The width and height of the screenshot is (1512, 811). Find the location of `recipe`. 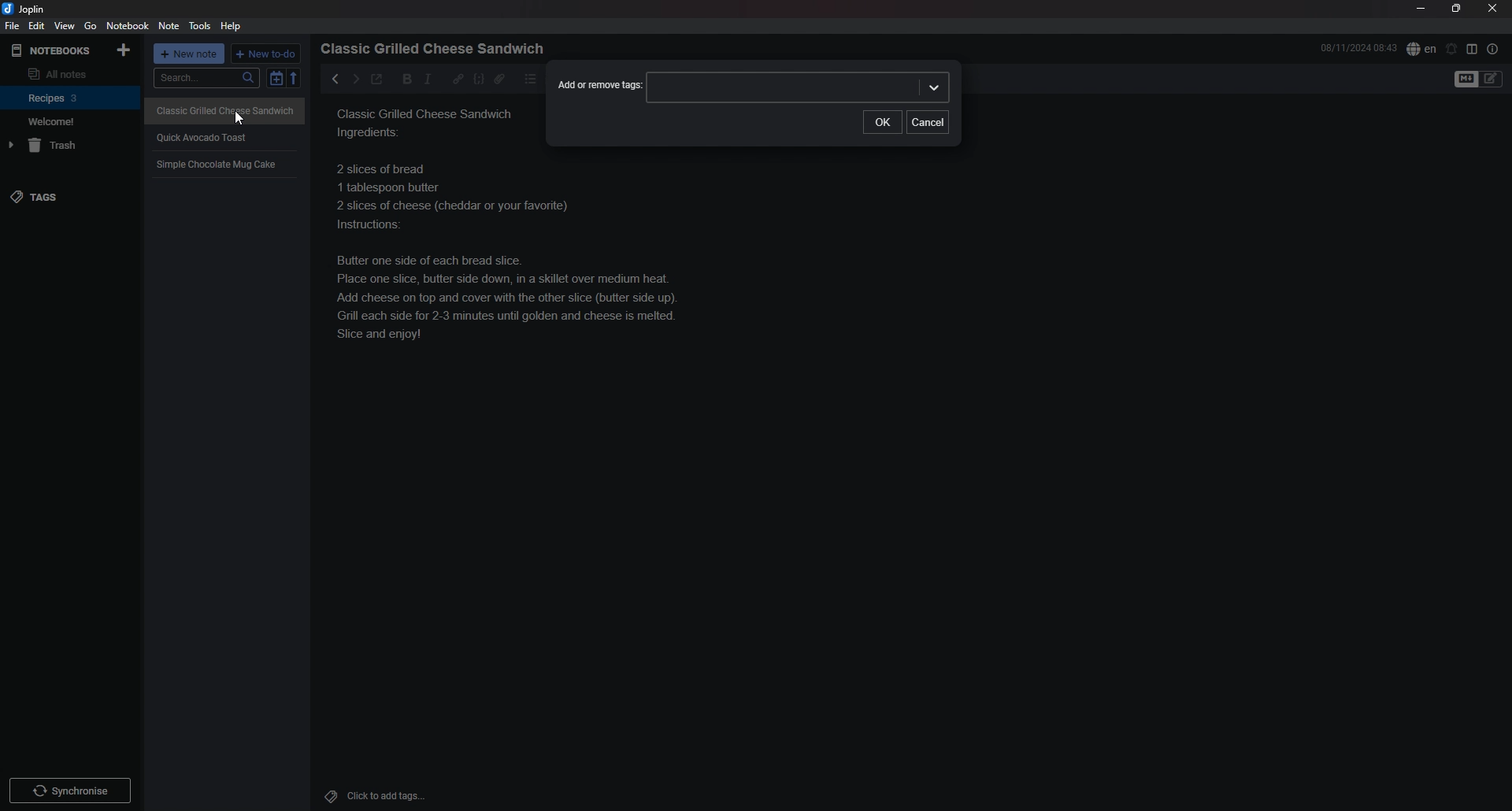

recipe is located at coordinates (216, 165).